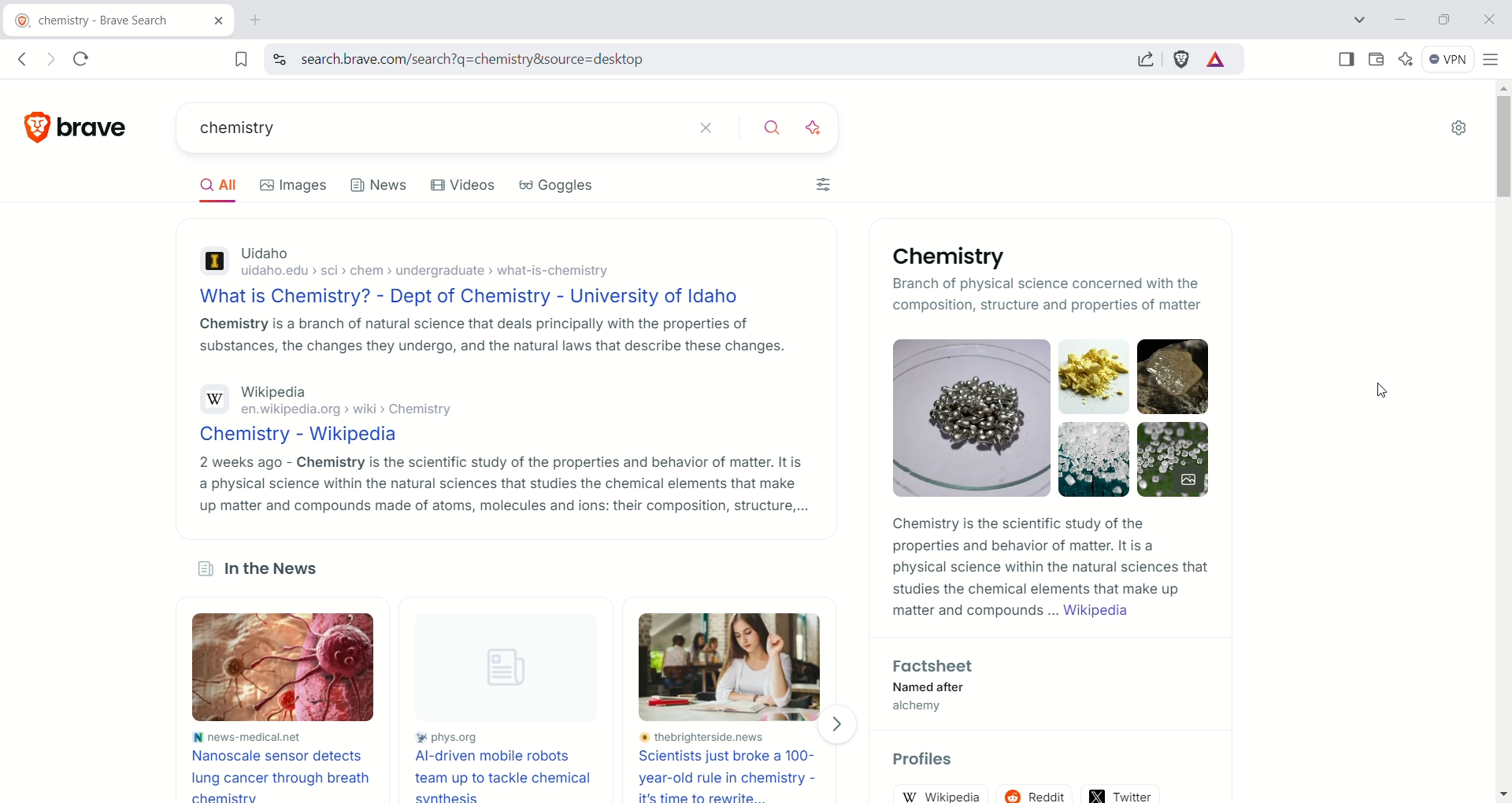 This screenshot has height=803, width=1512. What do you see at coordinates (568, 189) in the screenshot?
I see `Goggles` at bounding box center [568, 189].